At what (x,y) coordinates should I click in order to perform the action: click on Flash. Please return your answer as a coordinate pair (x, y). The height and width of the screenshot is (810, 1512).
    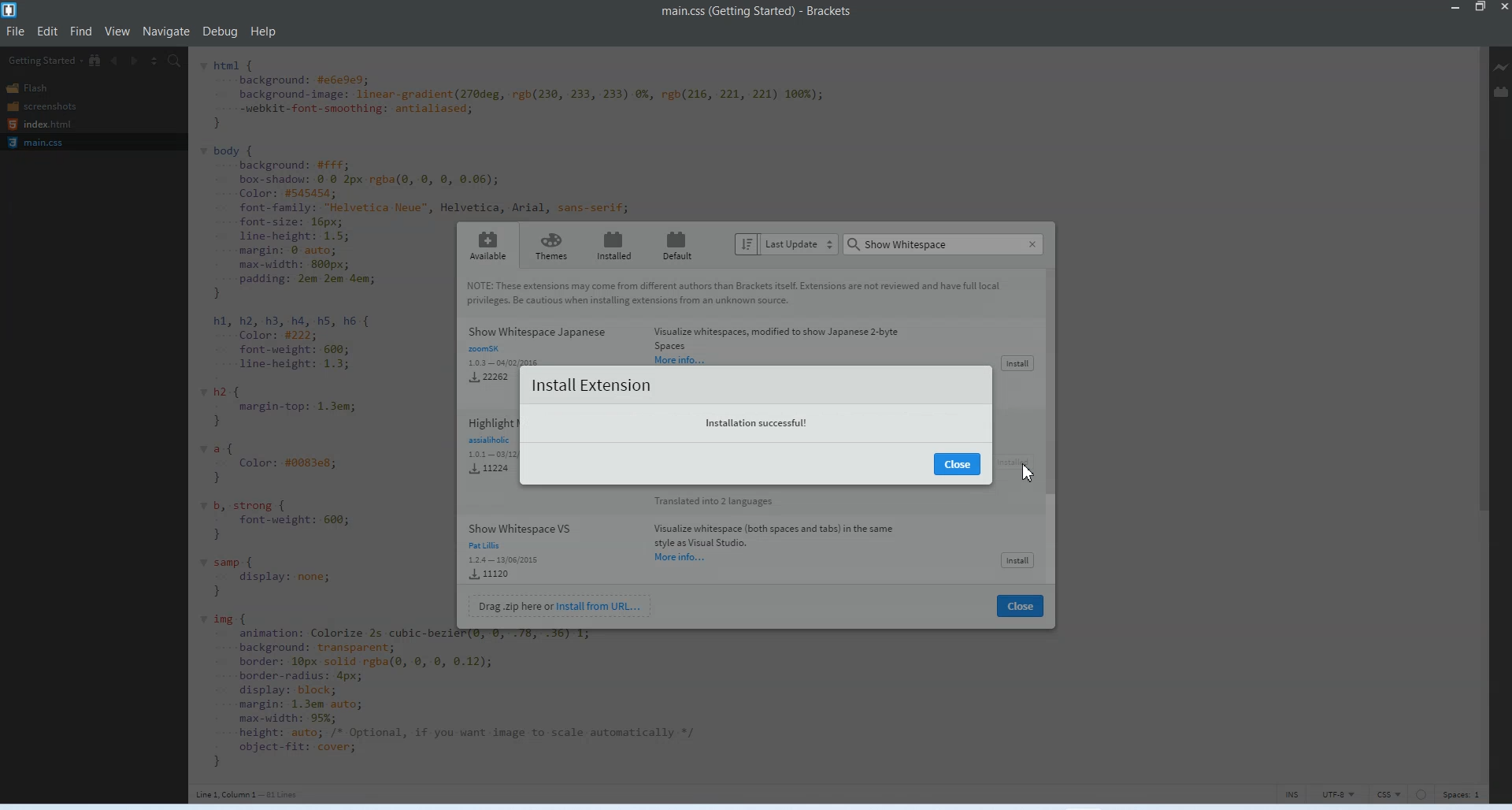
    Looking at the image, I should click on (34, 87).